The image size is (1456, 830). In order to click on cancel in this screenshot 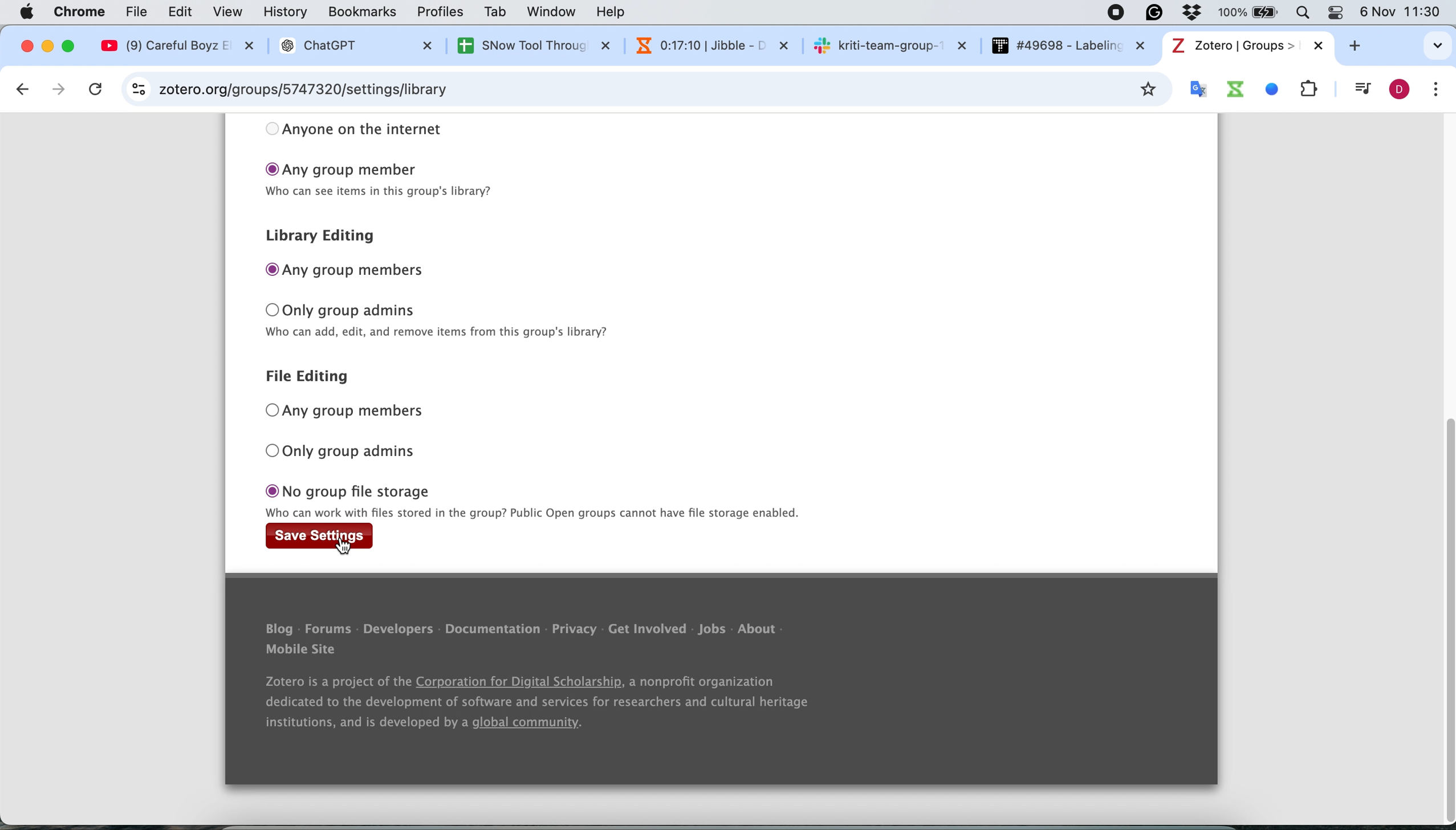, I will do `click(99, 89)`.